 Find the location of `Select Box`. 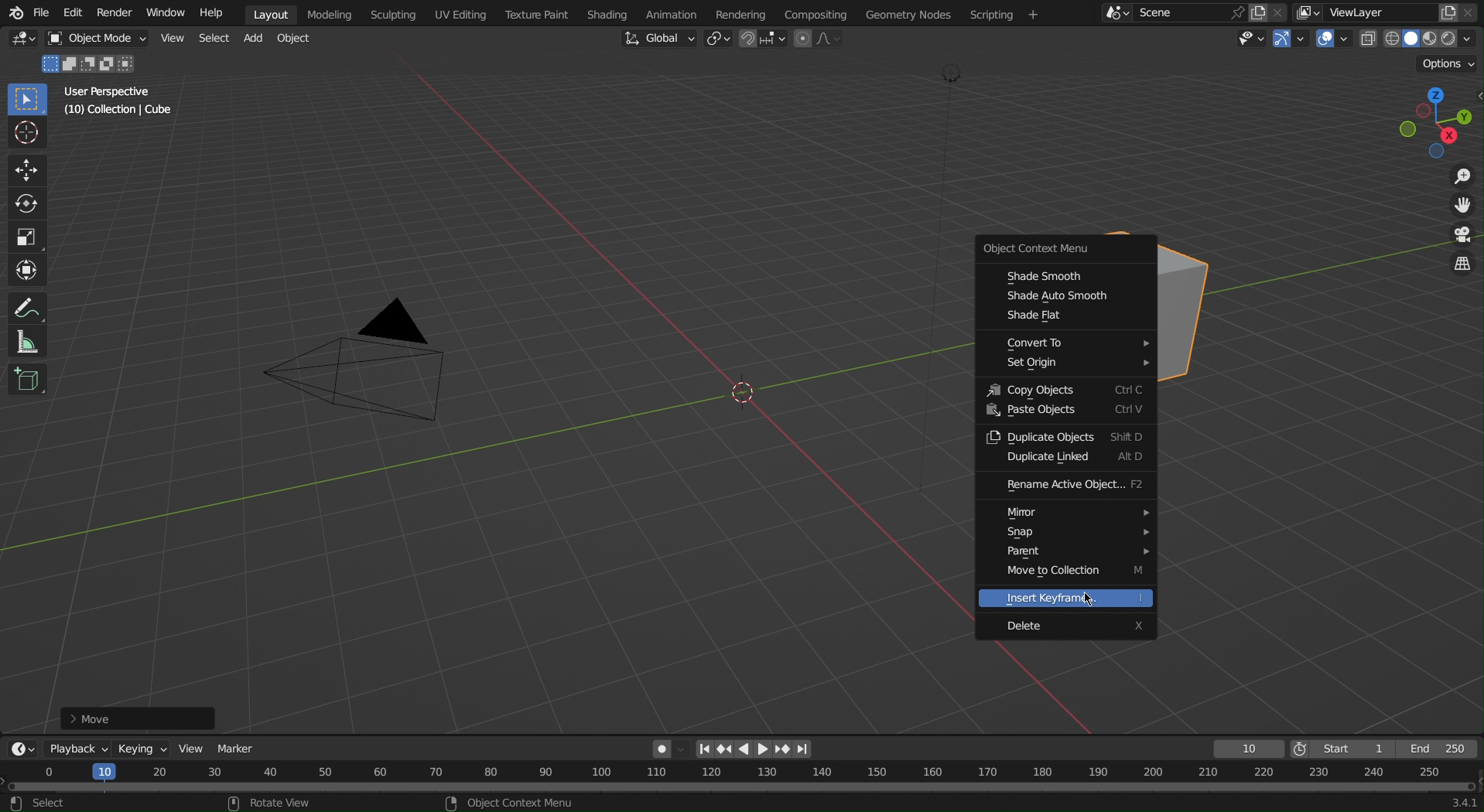

Select Box is located at coordinates (26, 100).